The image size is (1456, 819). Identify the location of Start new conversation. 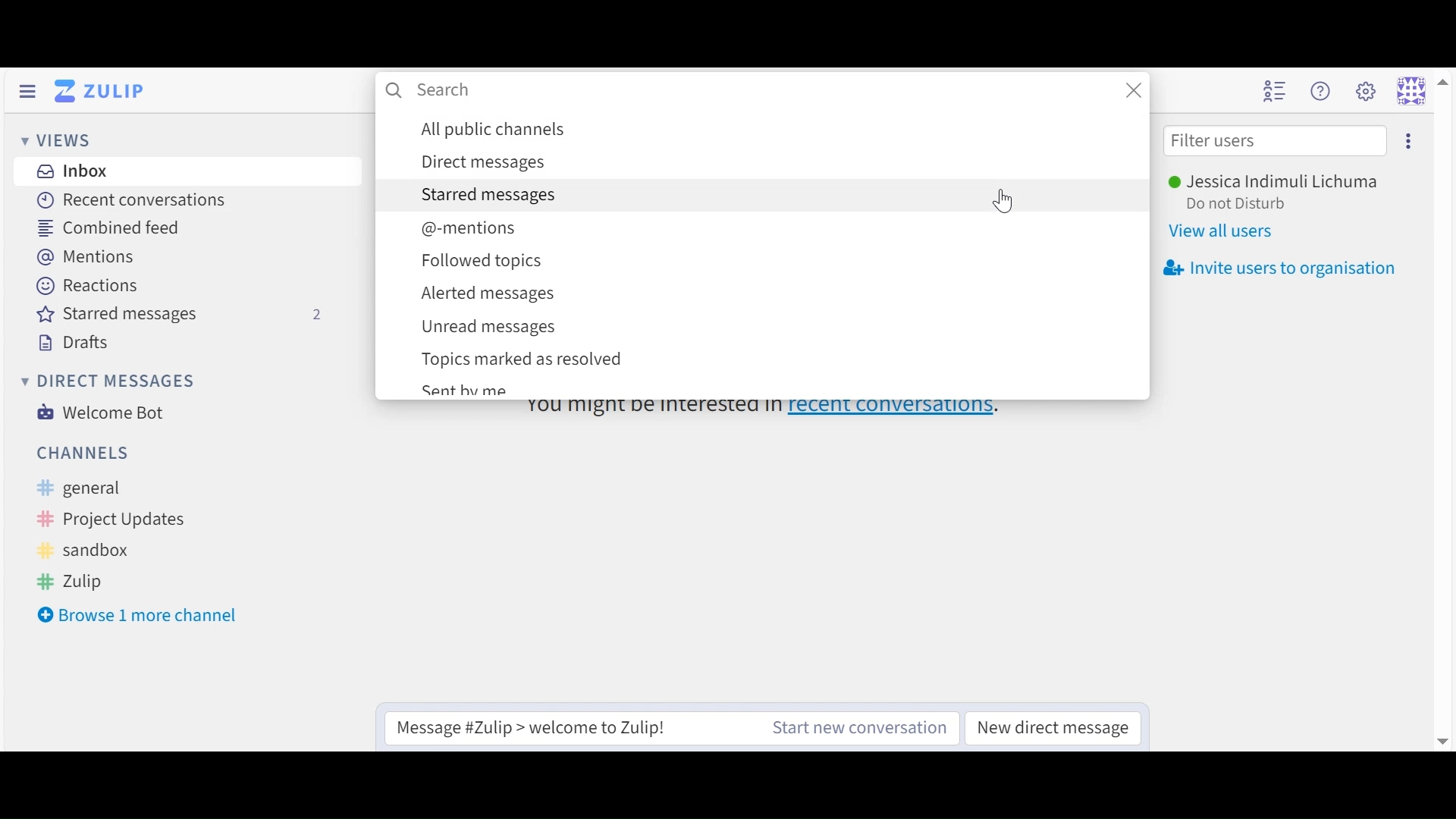
(861, 726).